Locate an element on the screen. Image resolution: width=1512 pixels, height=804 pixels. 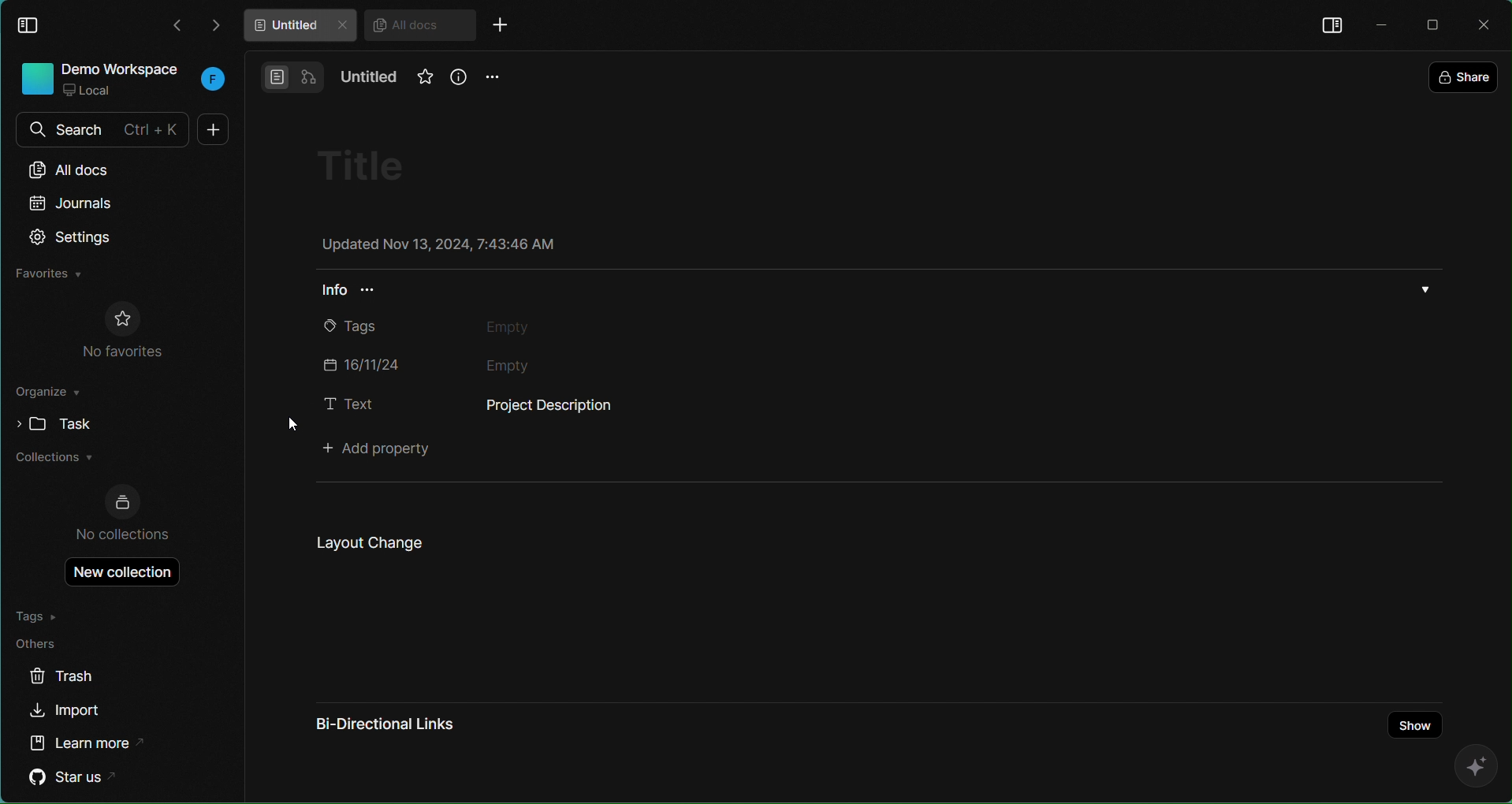
bookmark is located at coordinates (419, 83).